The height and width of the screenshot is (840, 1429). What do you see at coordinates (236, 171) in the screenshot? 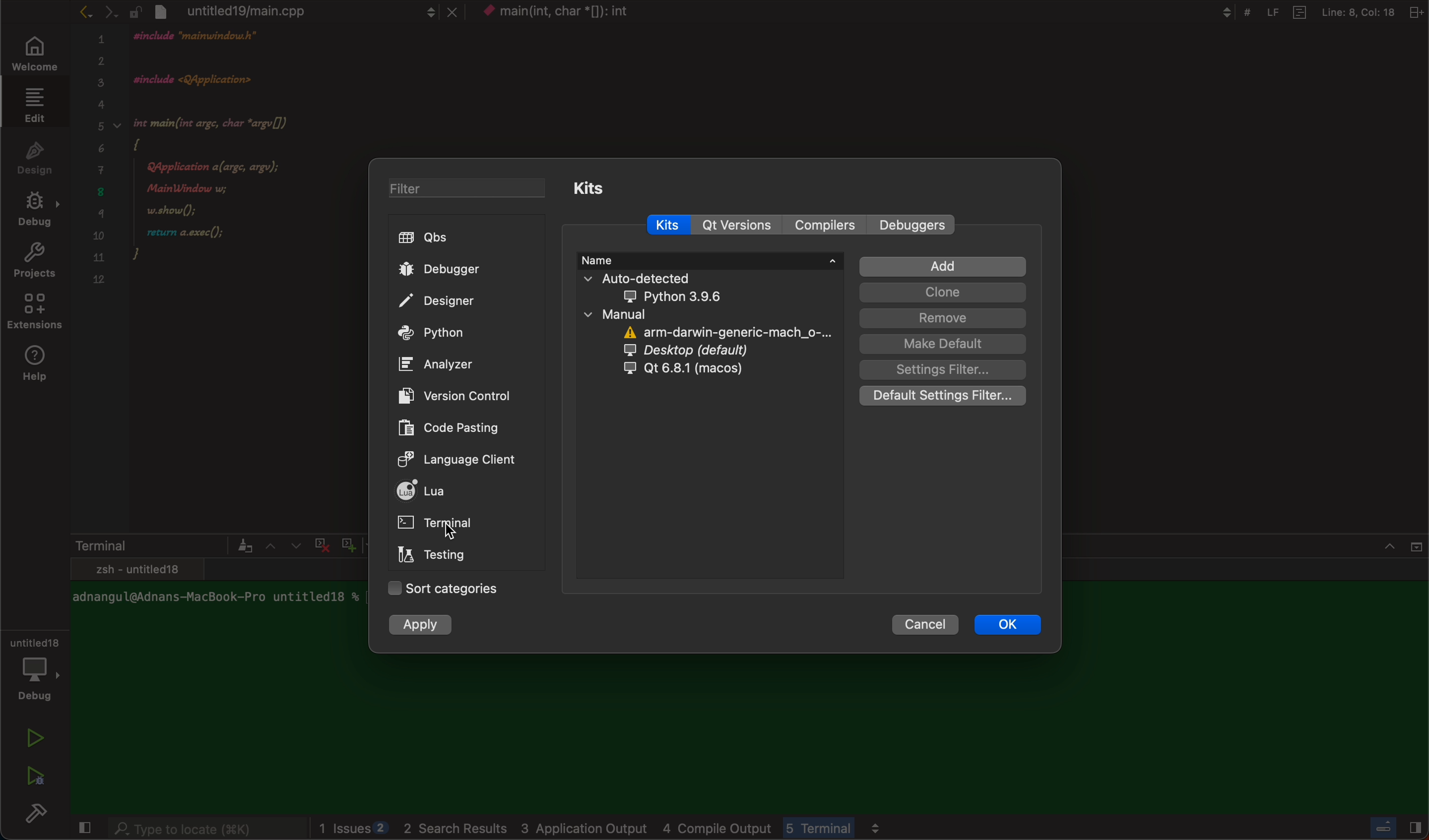
I see `code` at bounding box center [236, 171].